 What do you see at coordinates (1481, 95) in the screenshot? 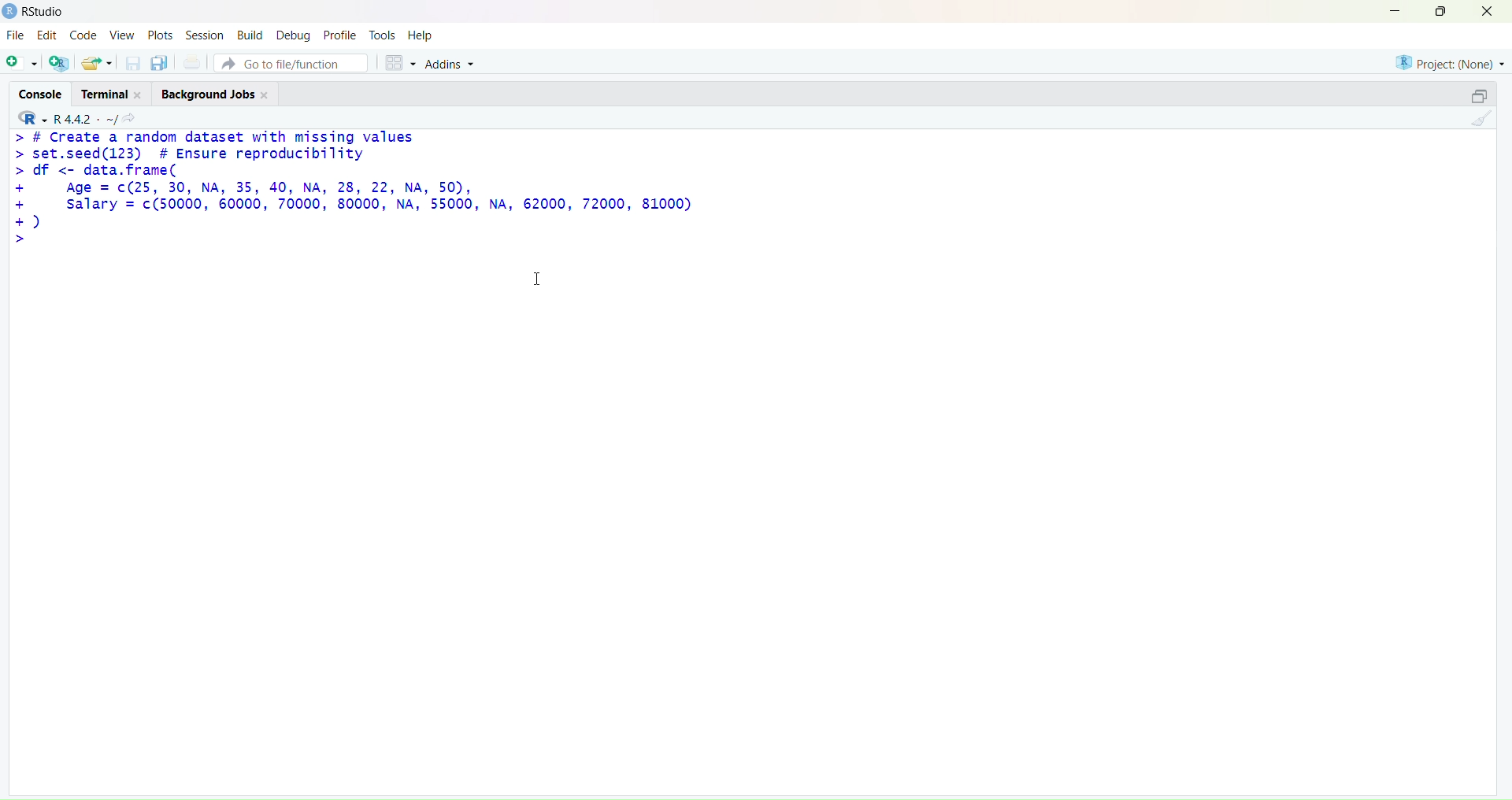
I see `collapse` at bounding box center [1481, 95].